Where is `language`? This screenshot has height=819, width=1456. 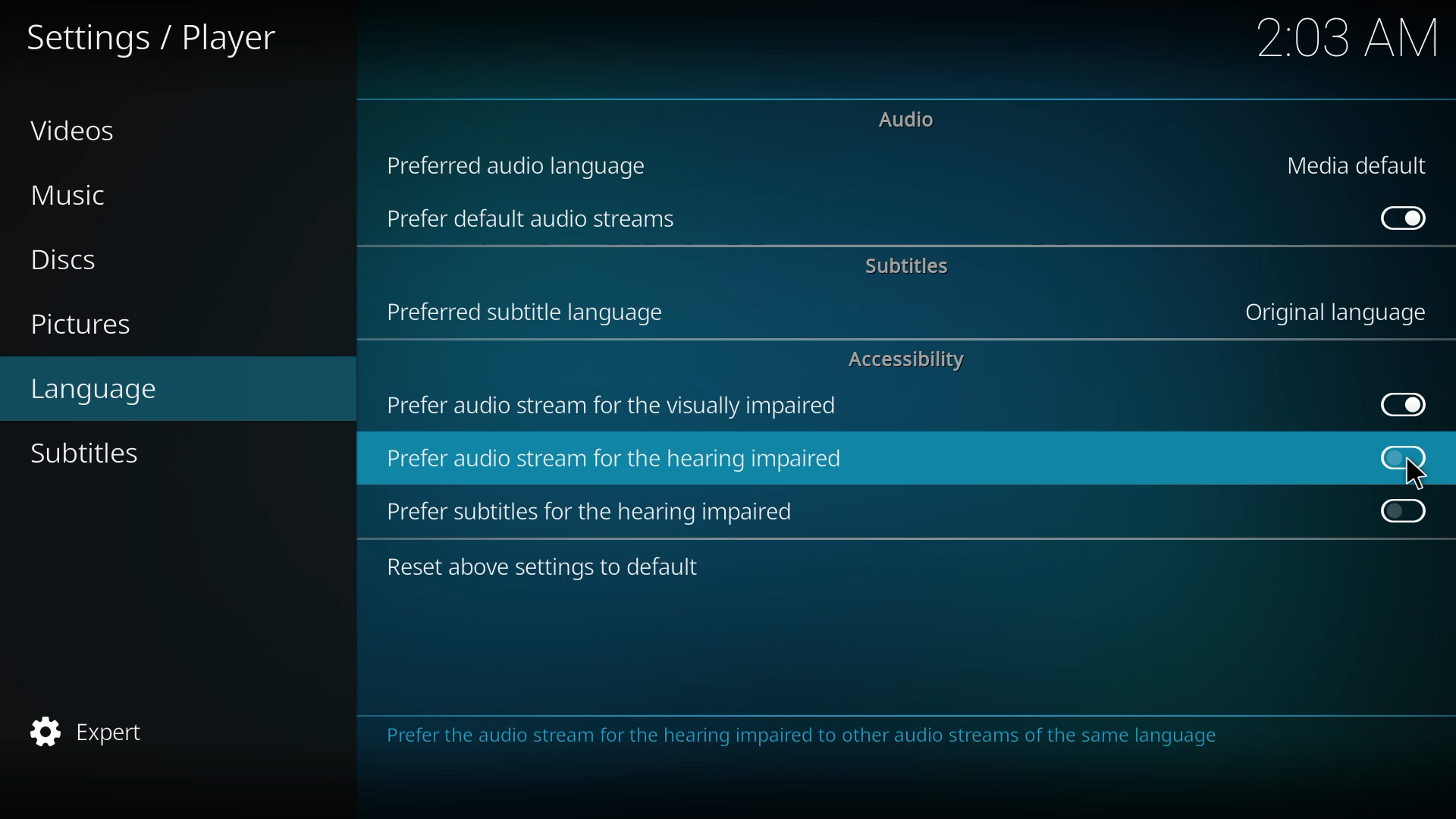 language is located at coordinates (99, 391).